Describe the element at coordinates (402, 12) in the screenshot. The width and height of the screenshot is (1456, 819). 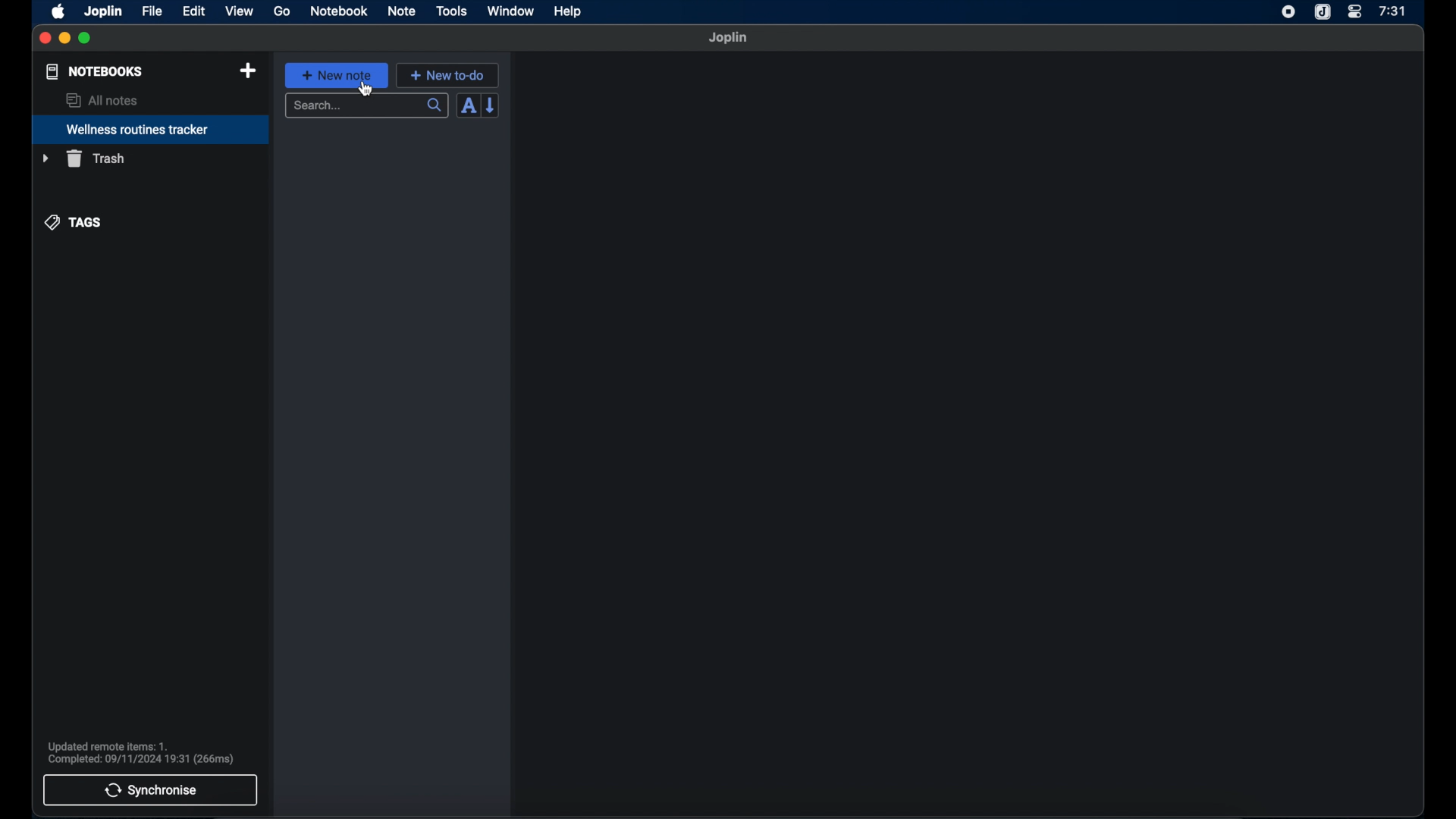
I see `note` at that location.